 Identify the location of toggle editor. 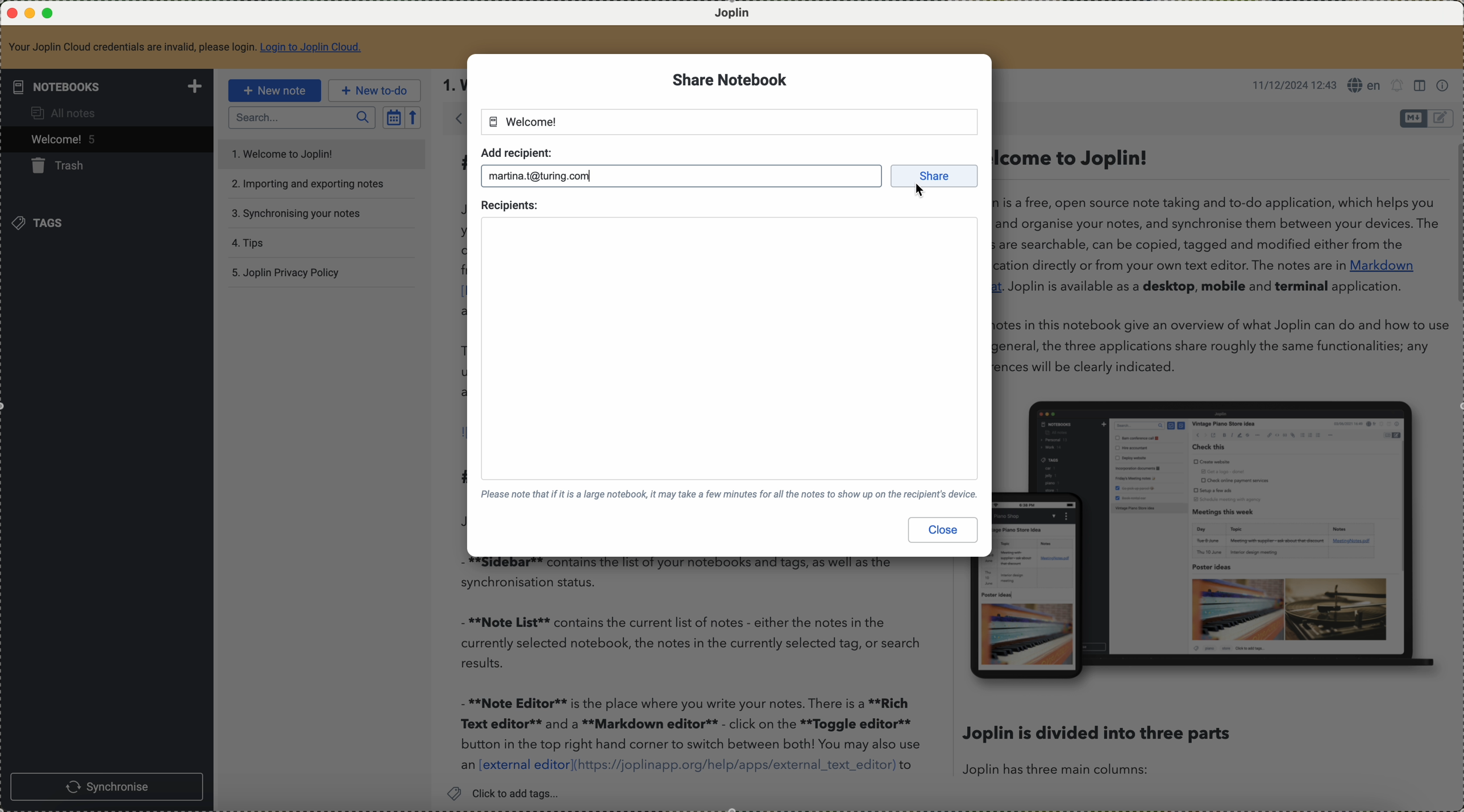
(1413, 118).